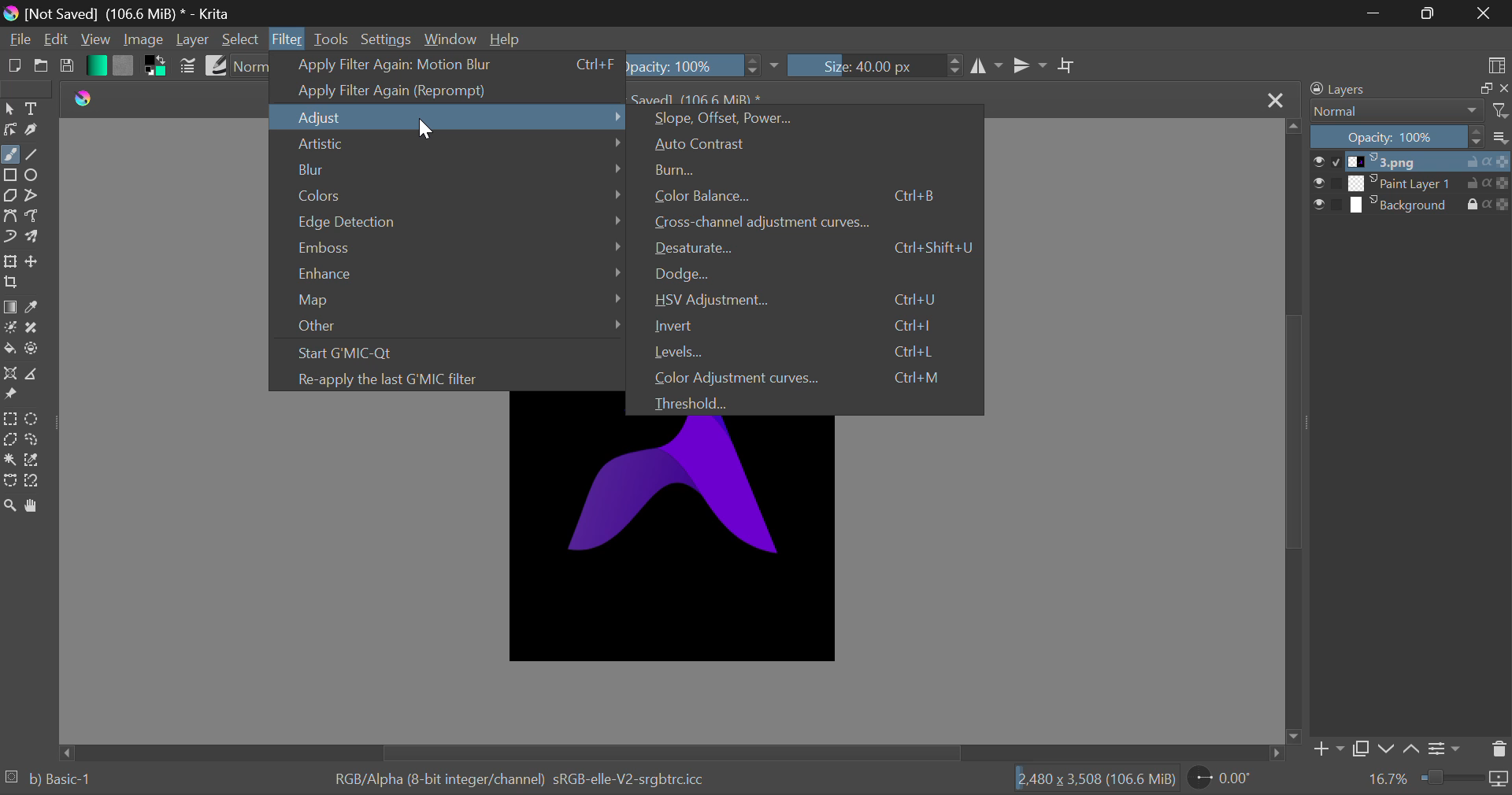  I want to click on Bezier Curve Selection, so click(10, 480).